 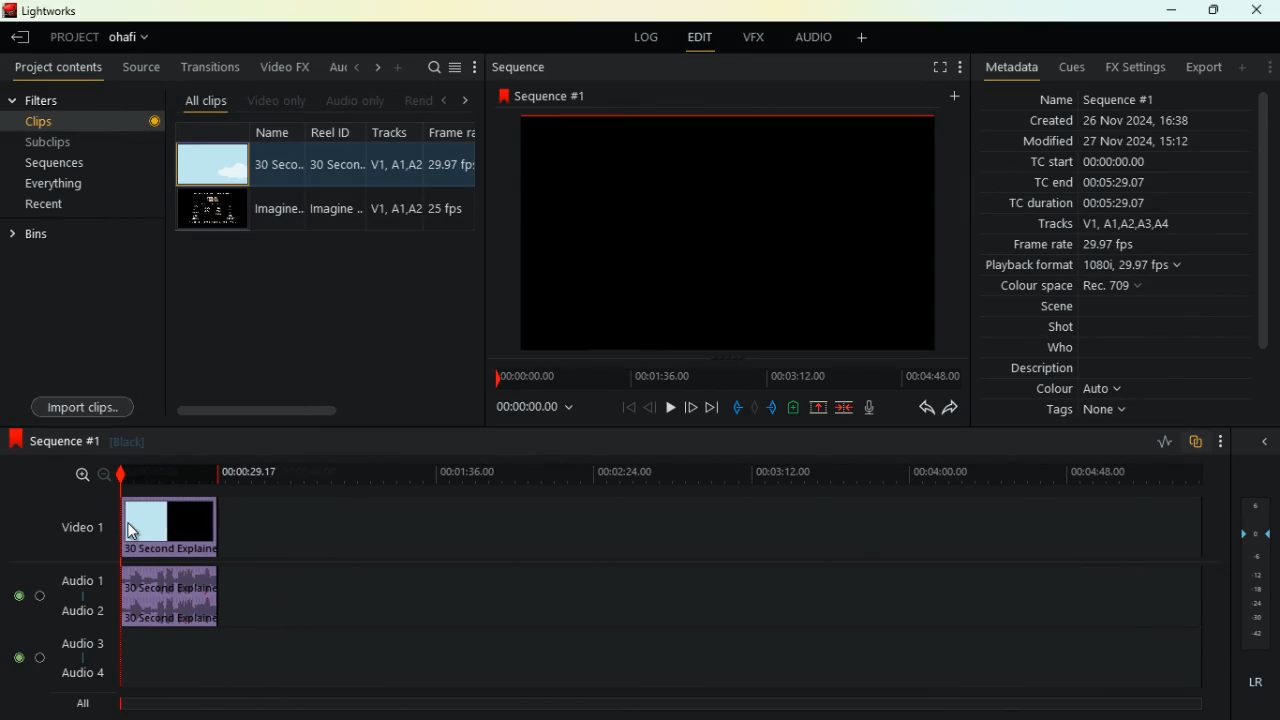 What do you see at coordinates (697, 38) in the screenshot?
I see `edit` at bounding box center [697, 38].